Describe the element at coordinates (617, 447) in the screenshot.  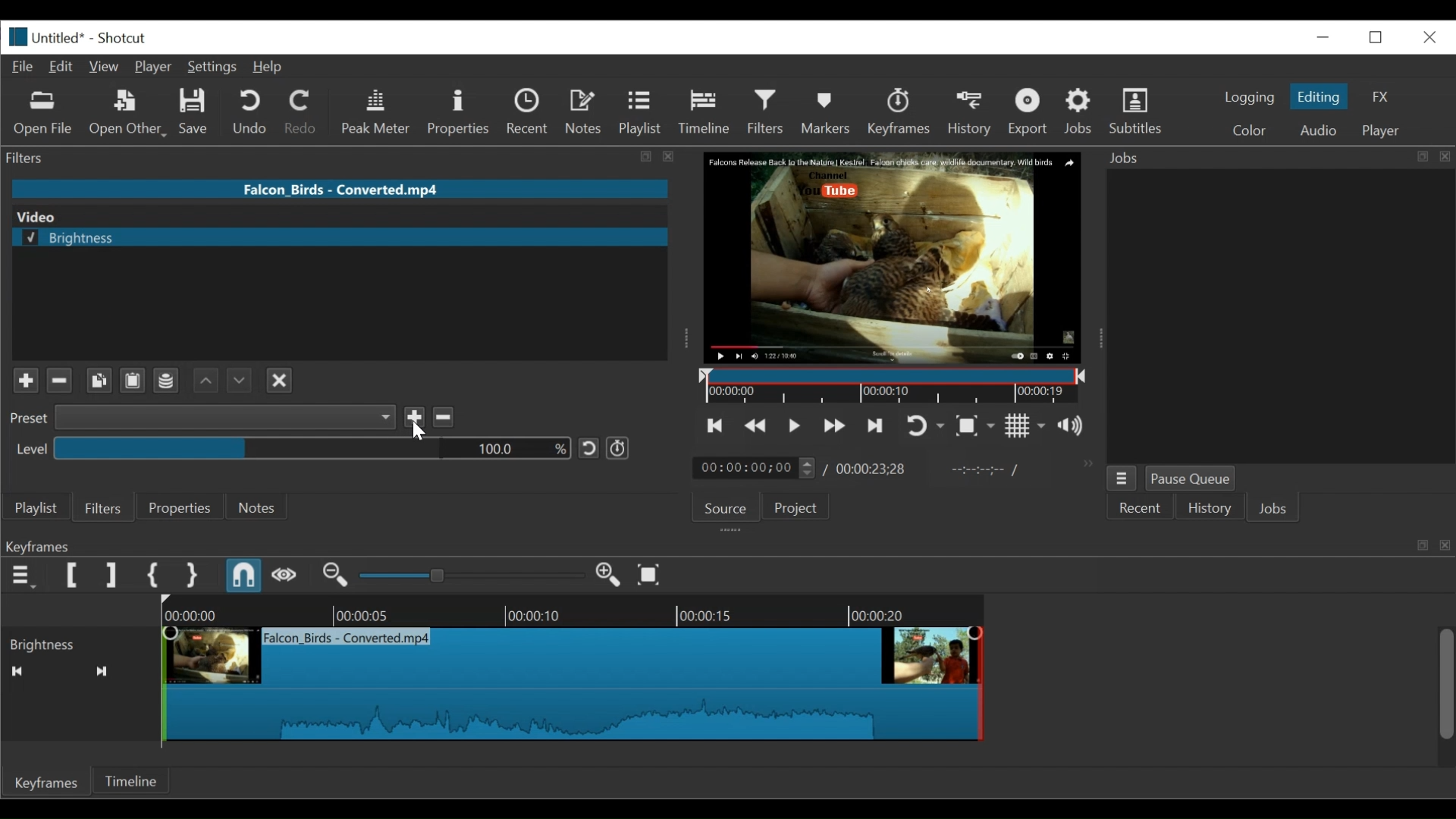
I see `Use keyframe for this parameter` at that location.